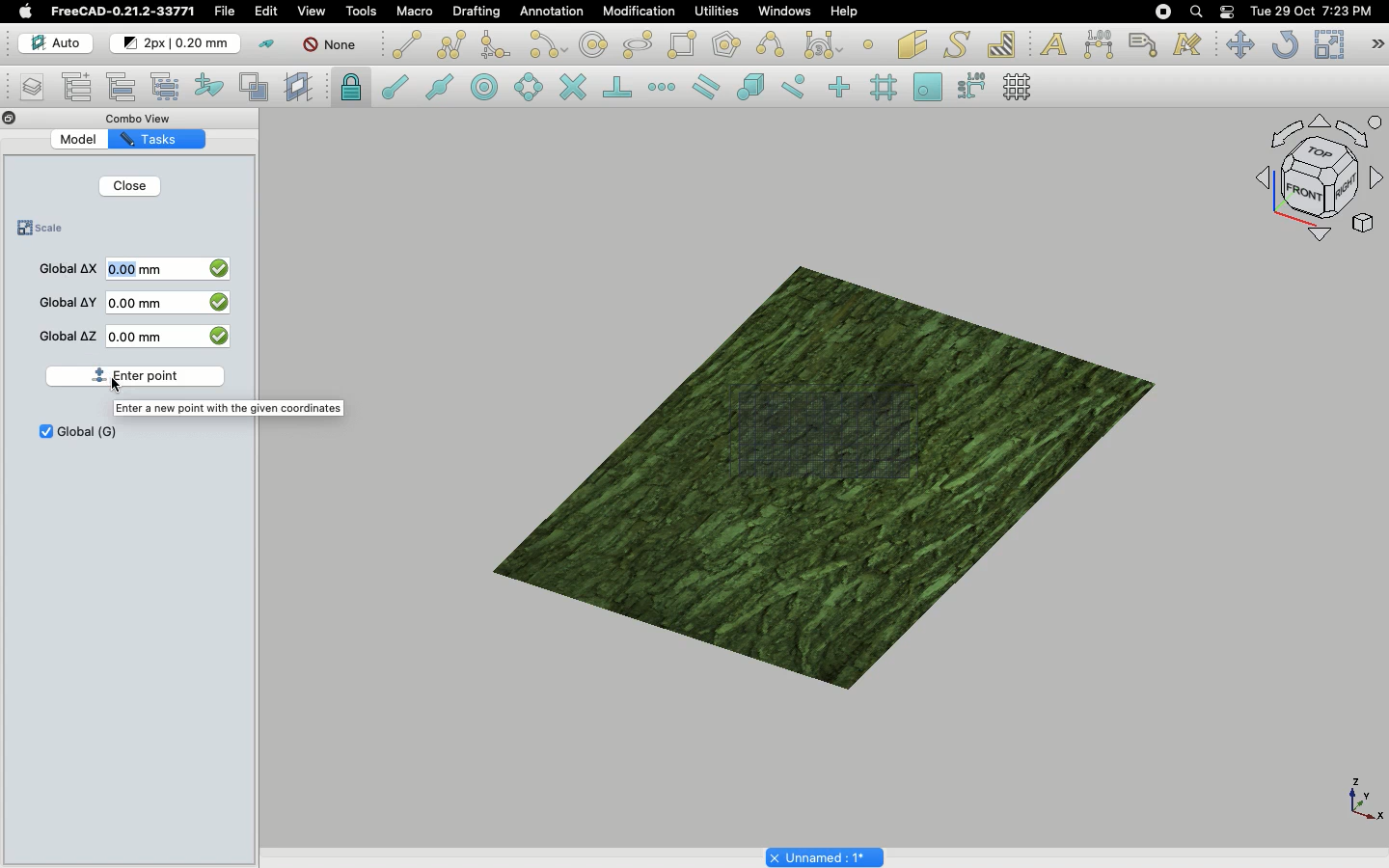 This screenshot has width=1389, height=868. Describe the element at coordinates (68, 336) in the screenshot. I see `Global Z` at that location.